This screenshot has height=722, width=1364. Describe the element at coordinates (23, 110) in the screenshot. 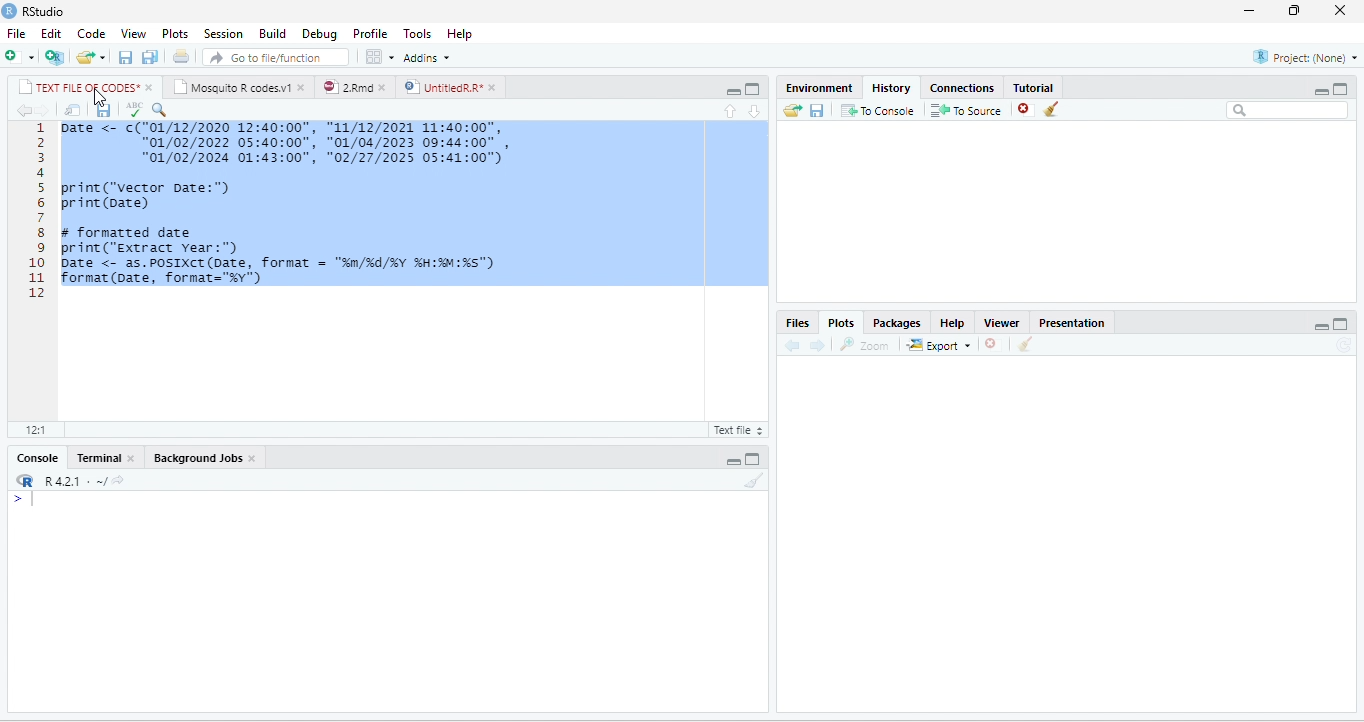

I see `back` at that location.